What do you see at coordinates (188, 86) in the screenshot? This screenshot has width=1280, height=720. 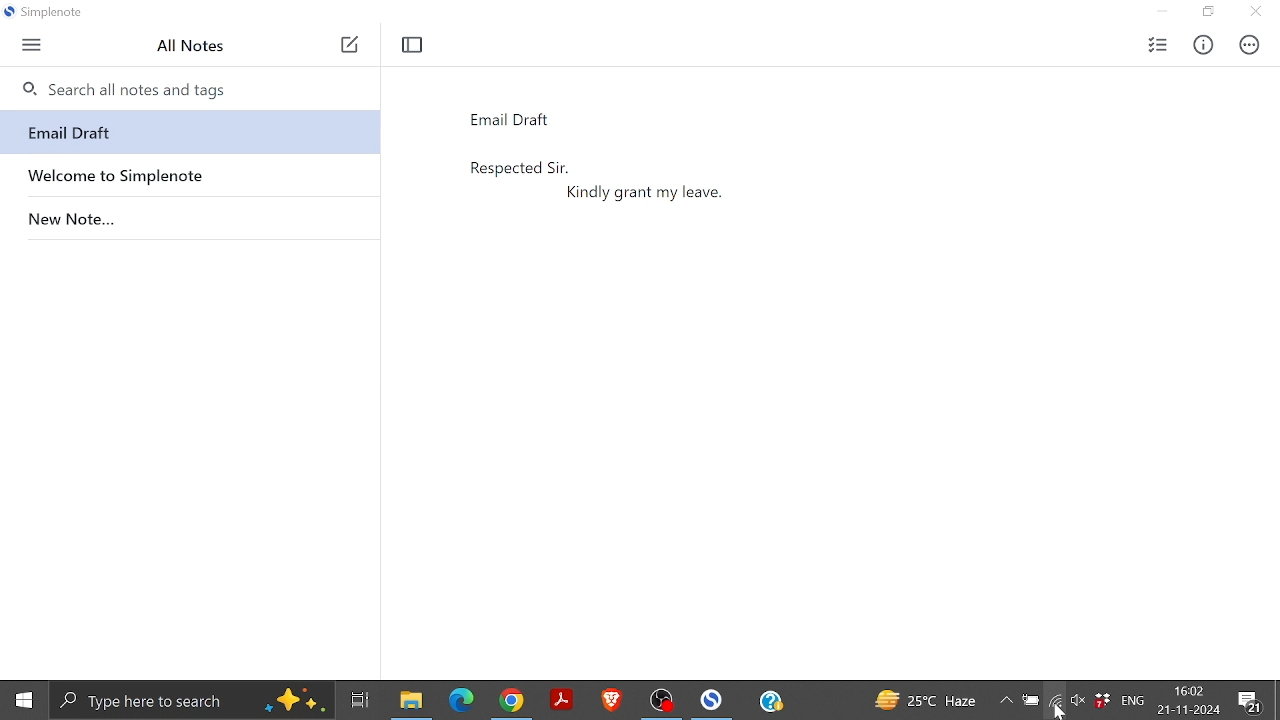 I see `Search all notes and tags` at bounding box center [188, 86].